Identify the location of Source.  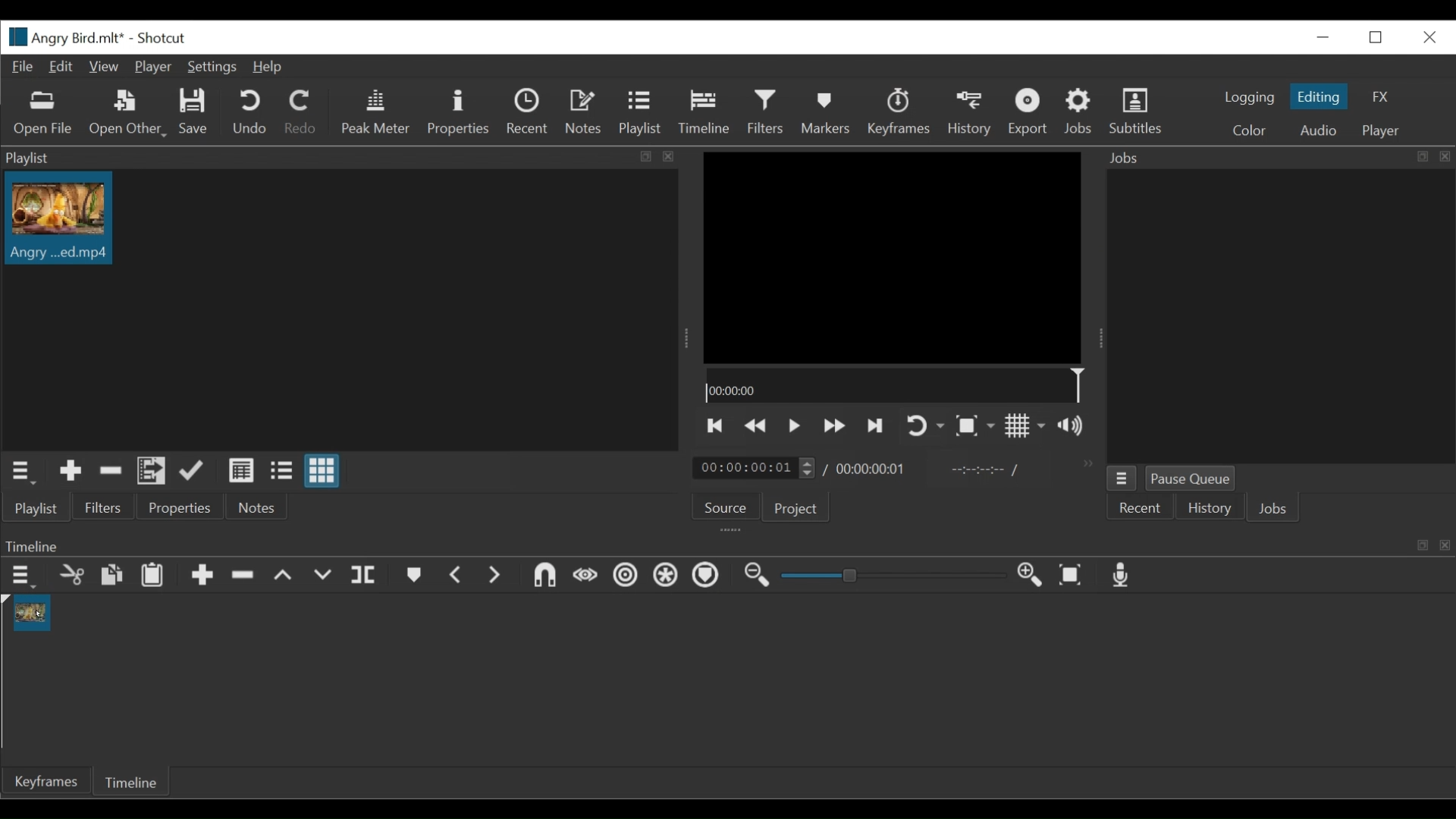
(726, 508).